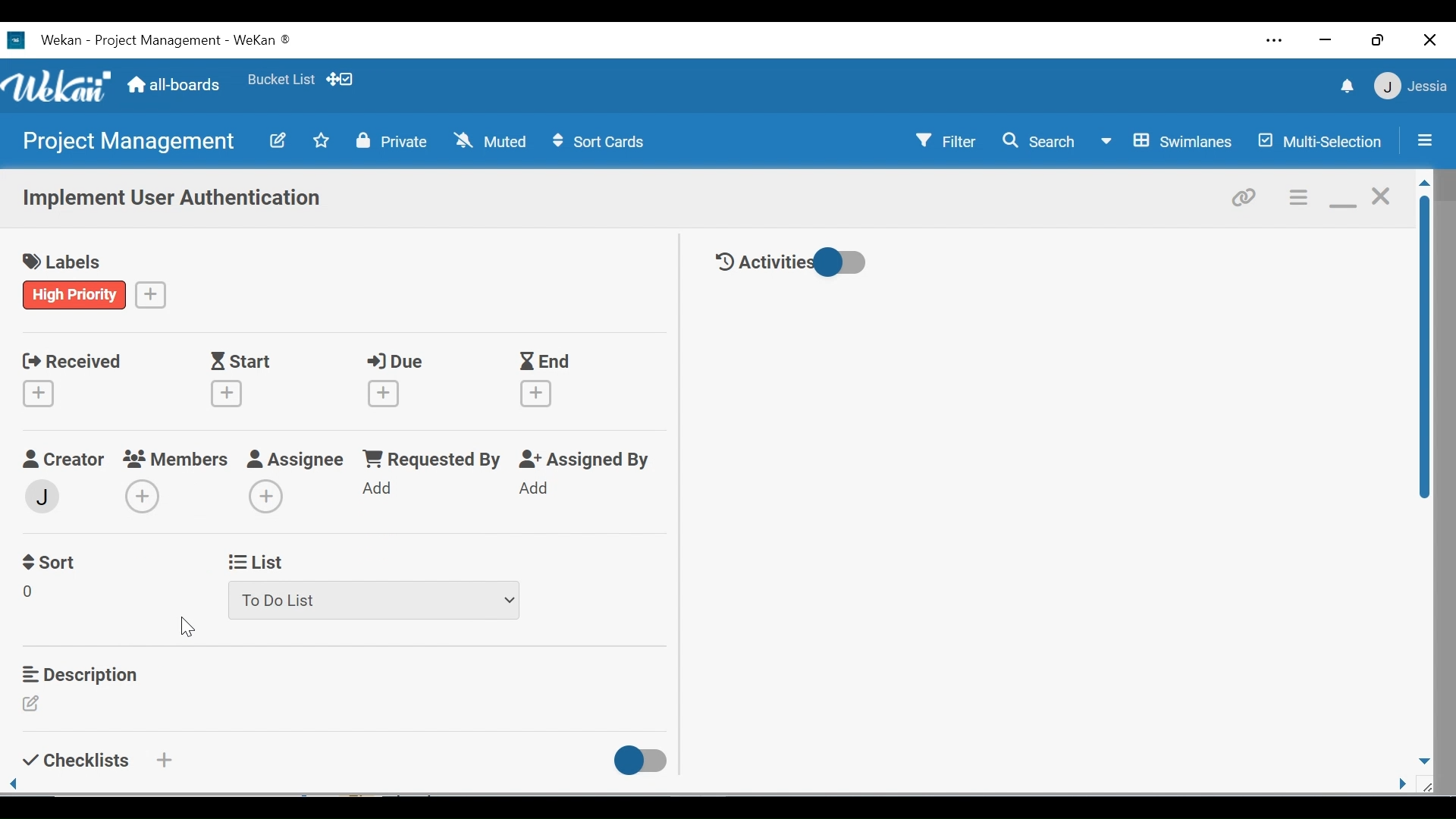 The image size is (1456, 819). Describe the element at coordinates (1379, 196) in the screenshot. I see `close` at that location.